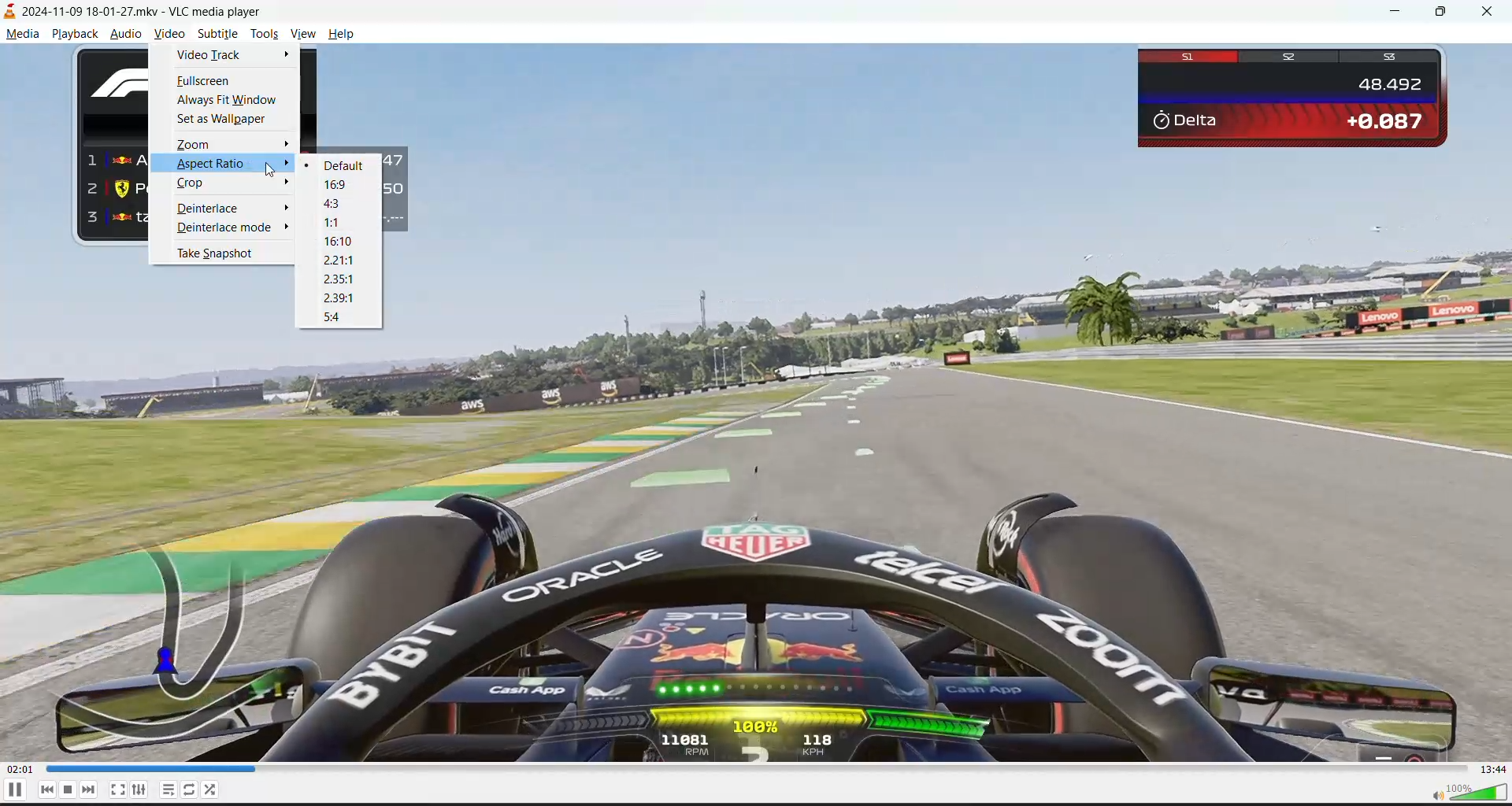 Image resolution: width=1512 pixels, height=806 pixels. I want to click on total track time, so click(1492, 769).